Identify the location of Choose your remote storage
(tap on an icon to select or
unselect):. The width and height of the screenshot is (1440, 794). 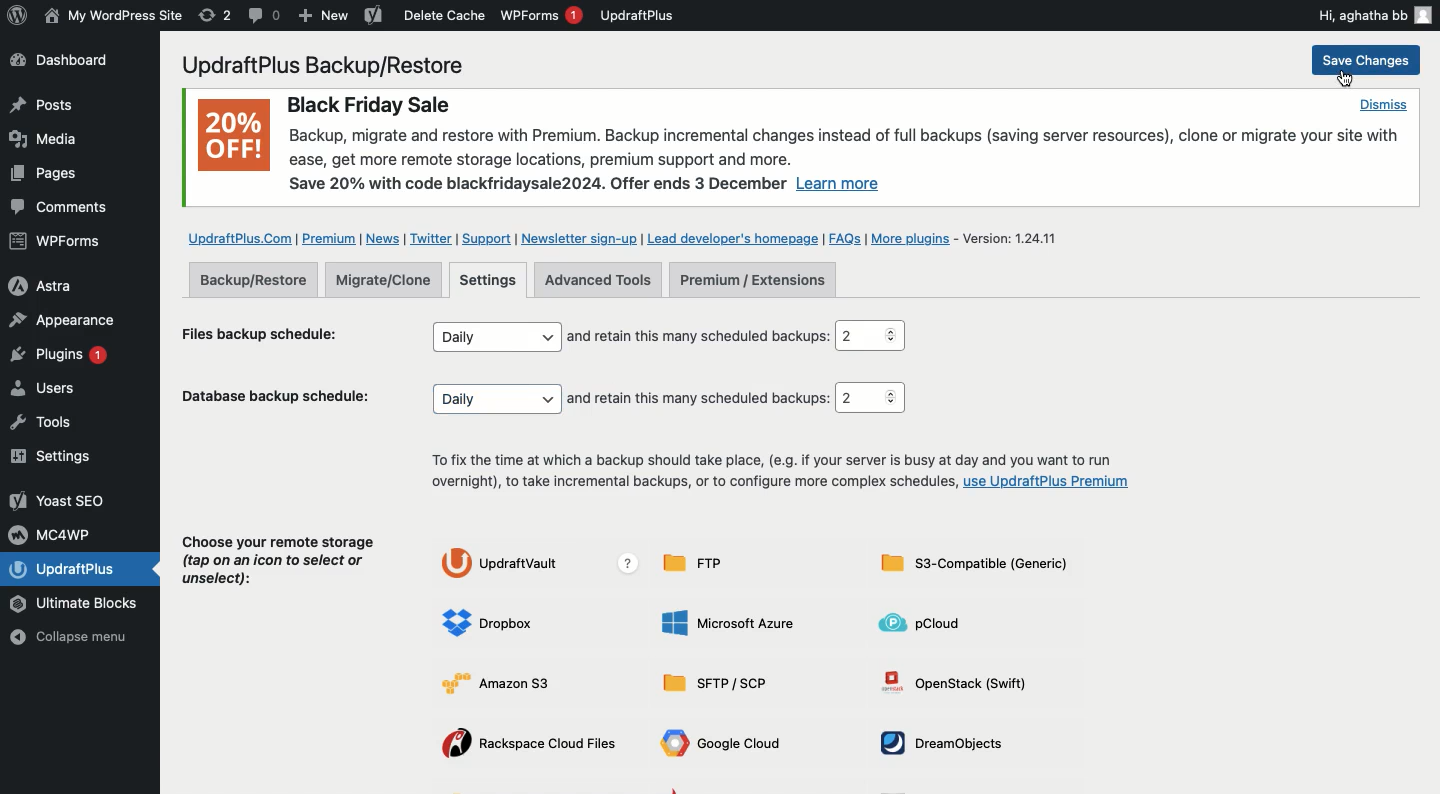
(280, 565).